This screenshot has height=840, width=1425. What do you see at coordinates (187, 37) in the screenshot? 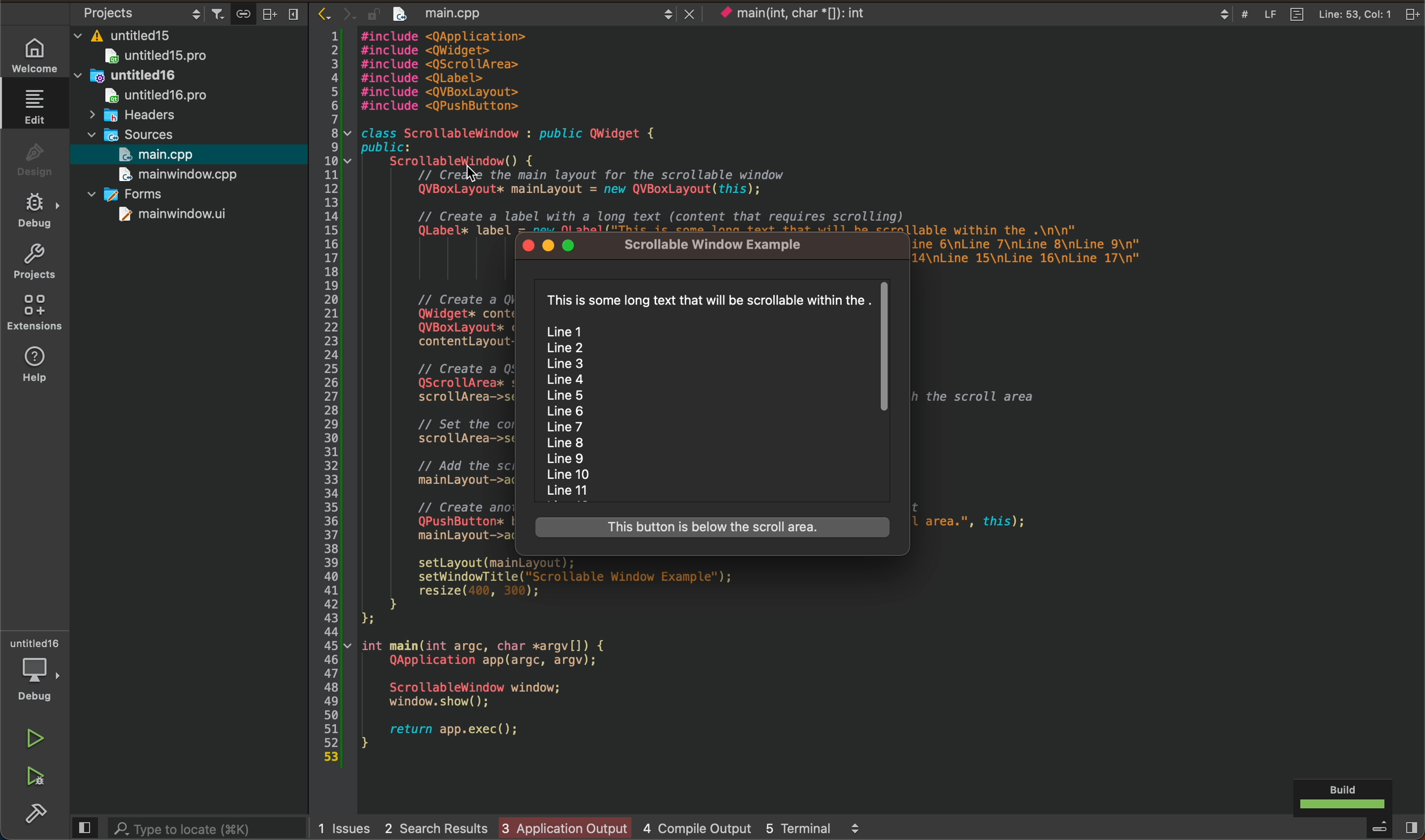
I see `files and folders` at bounding box center [187, 37].